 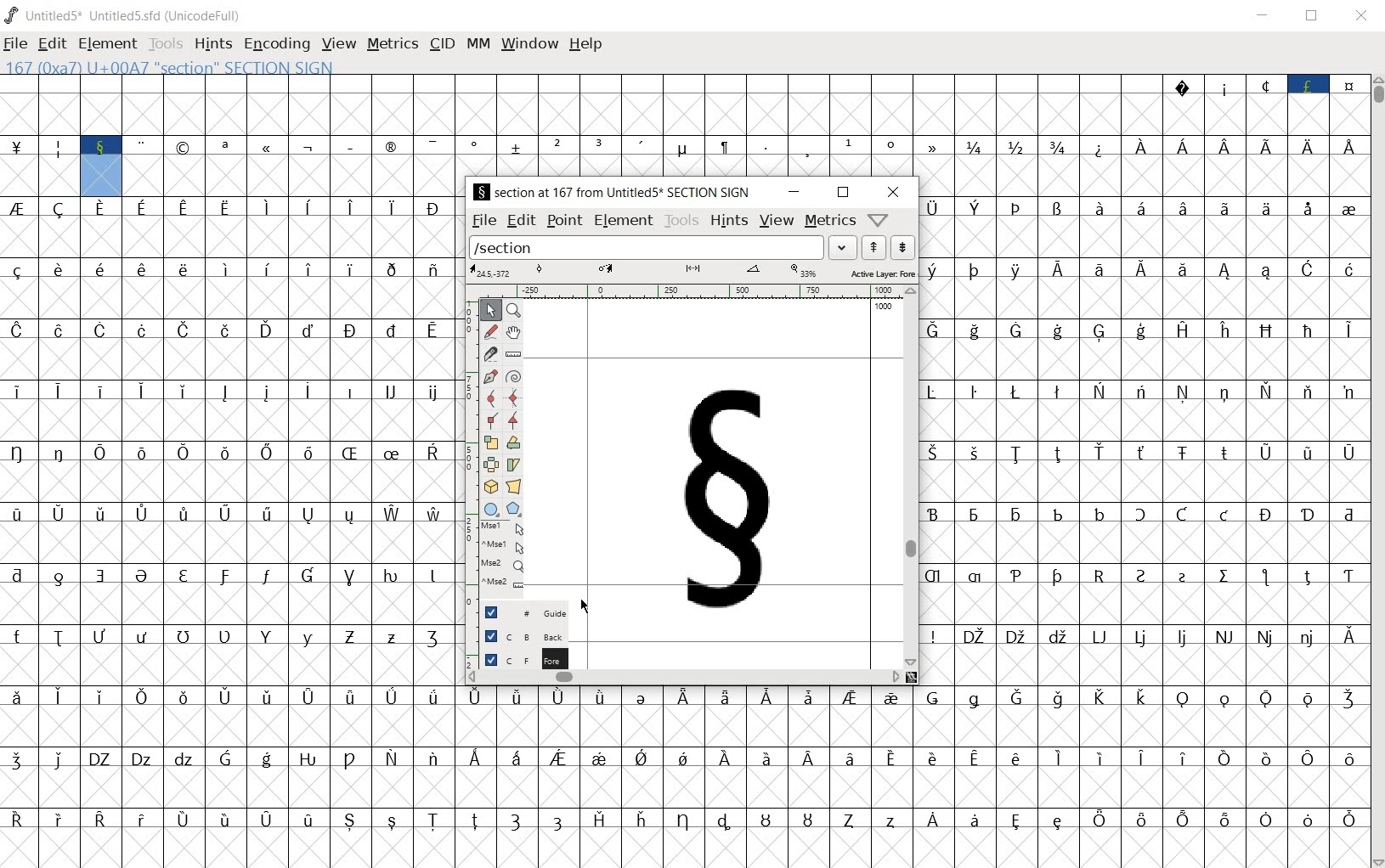 I want to click on MAGNIFY, so click(x=515, y=309).